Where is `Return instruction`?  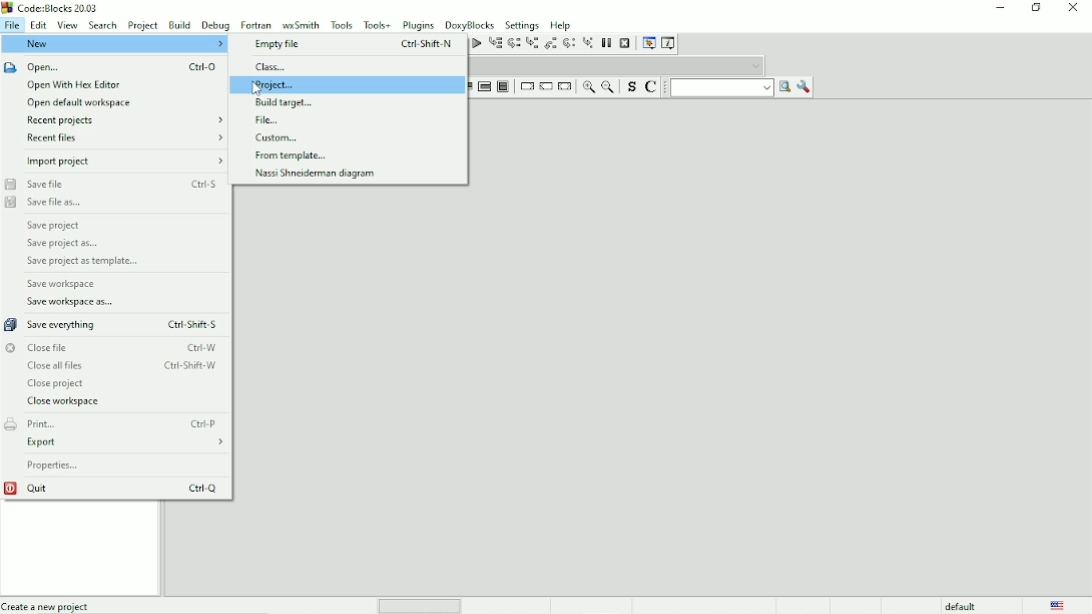
Return instruction is located at coordinates (565, 87).